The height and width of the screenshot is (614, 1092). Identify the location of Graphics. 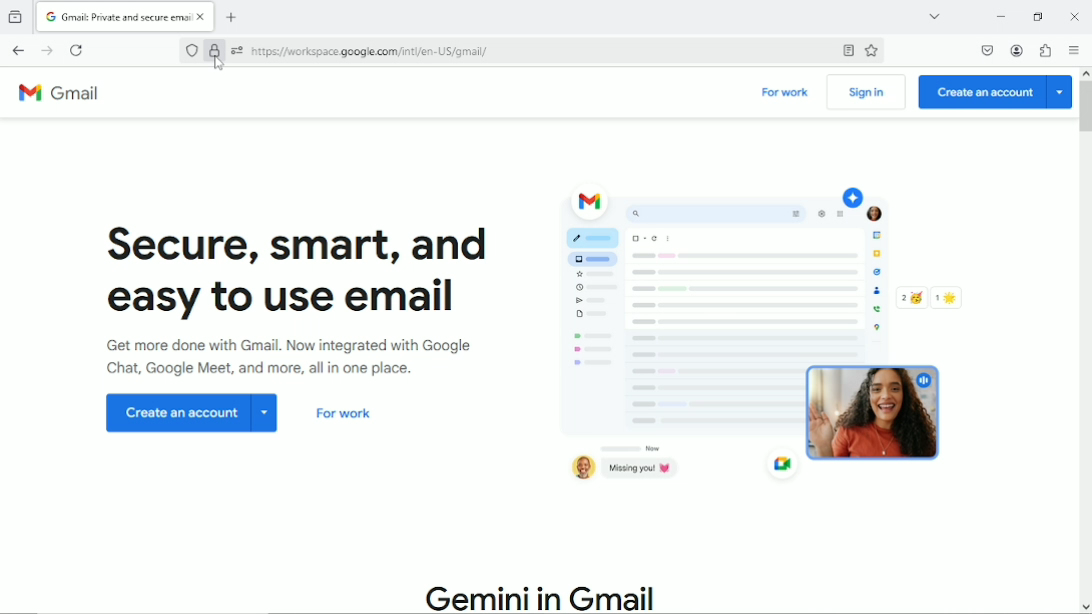
(769, 338).